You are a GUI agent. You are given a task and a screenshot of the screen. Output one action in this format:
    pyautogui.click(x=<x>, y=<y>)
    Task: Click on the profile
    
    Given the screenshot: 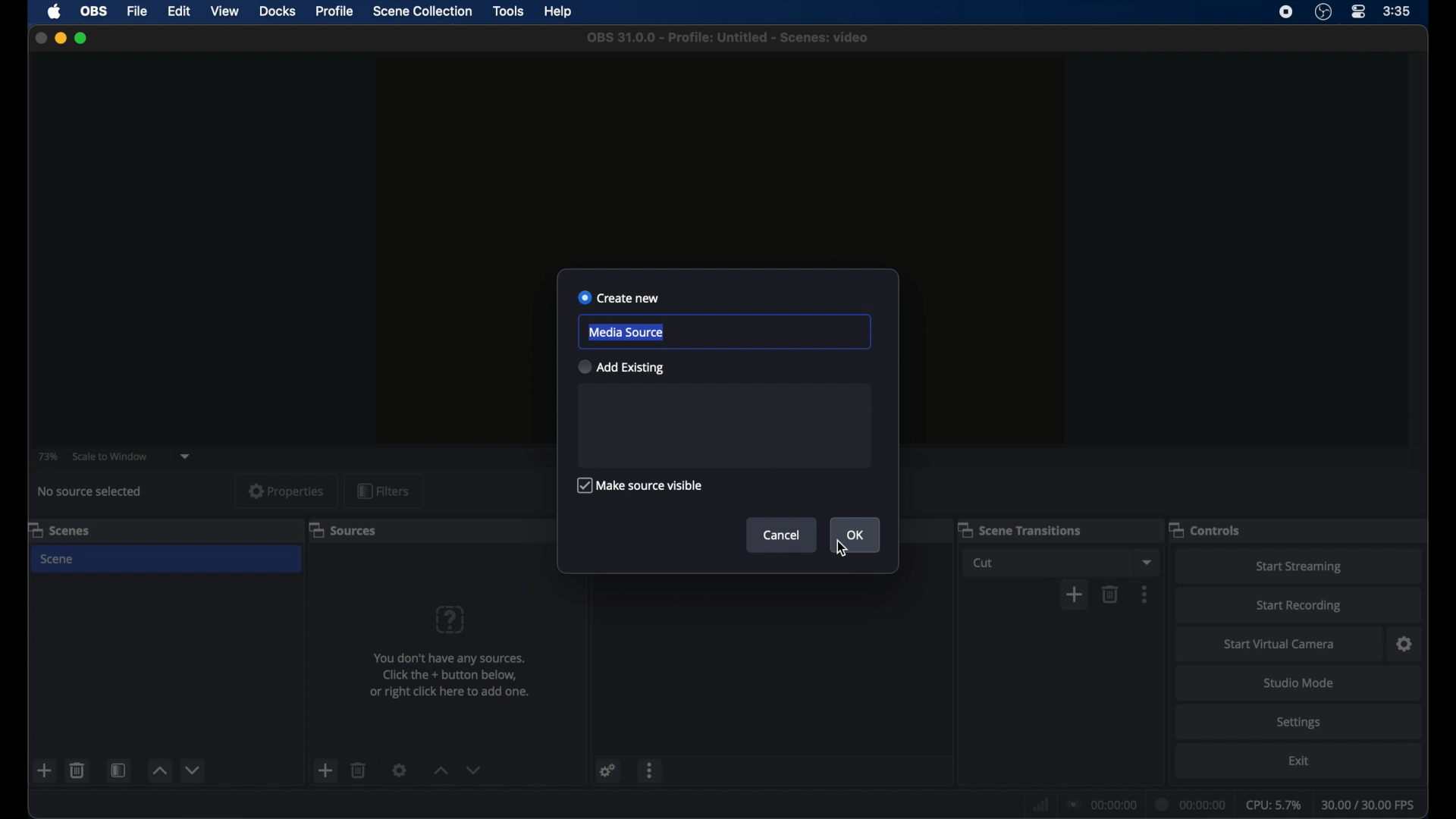 What is the action you would take?
    pyautogui.click(x=336, y=11)
    